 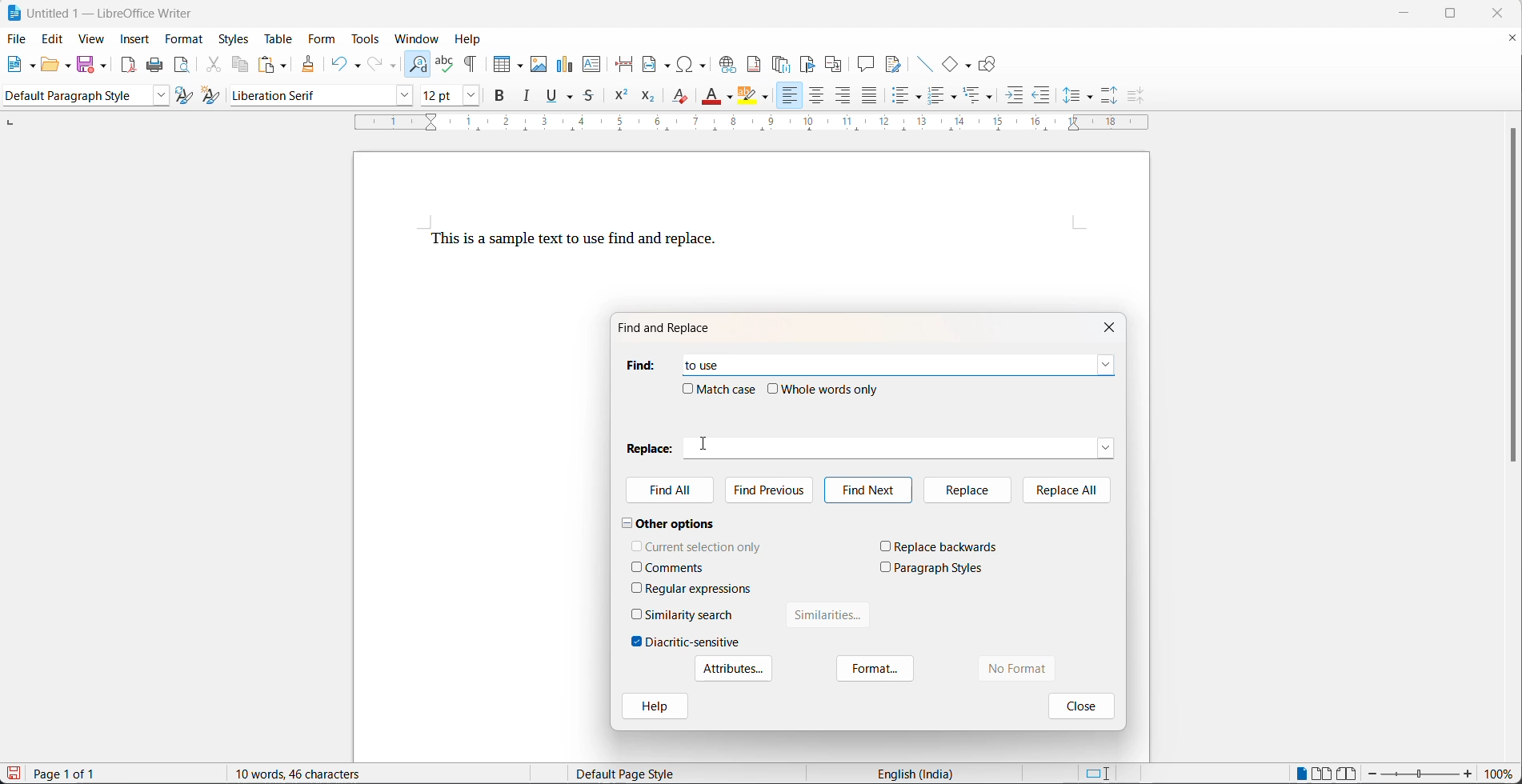 I want to click on window, so click(x=419, y=38).